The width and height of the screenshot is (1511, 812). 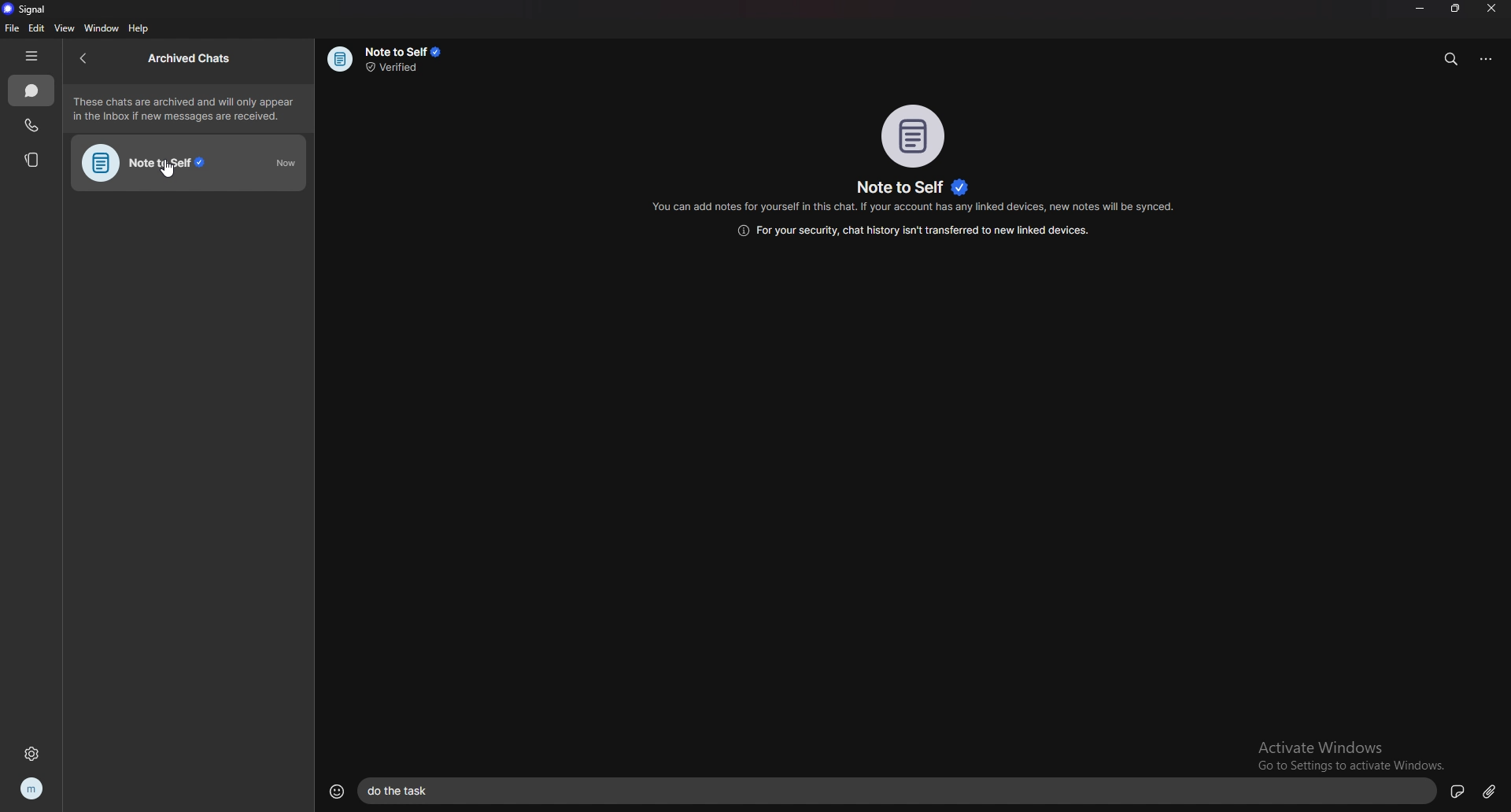 I want to click on edit, so click(x=37, y=29).